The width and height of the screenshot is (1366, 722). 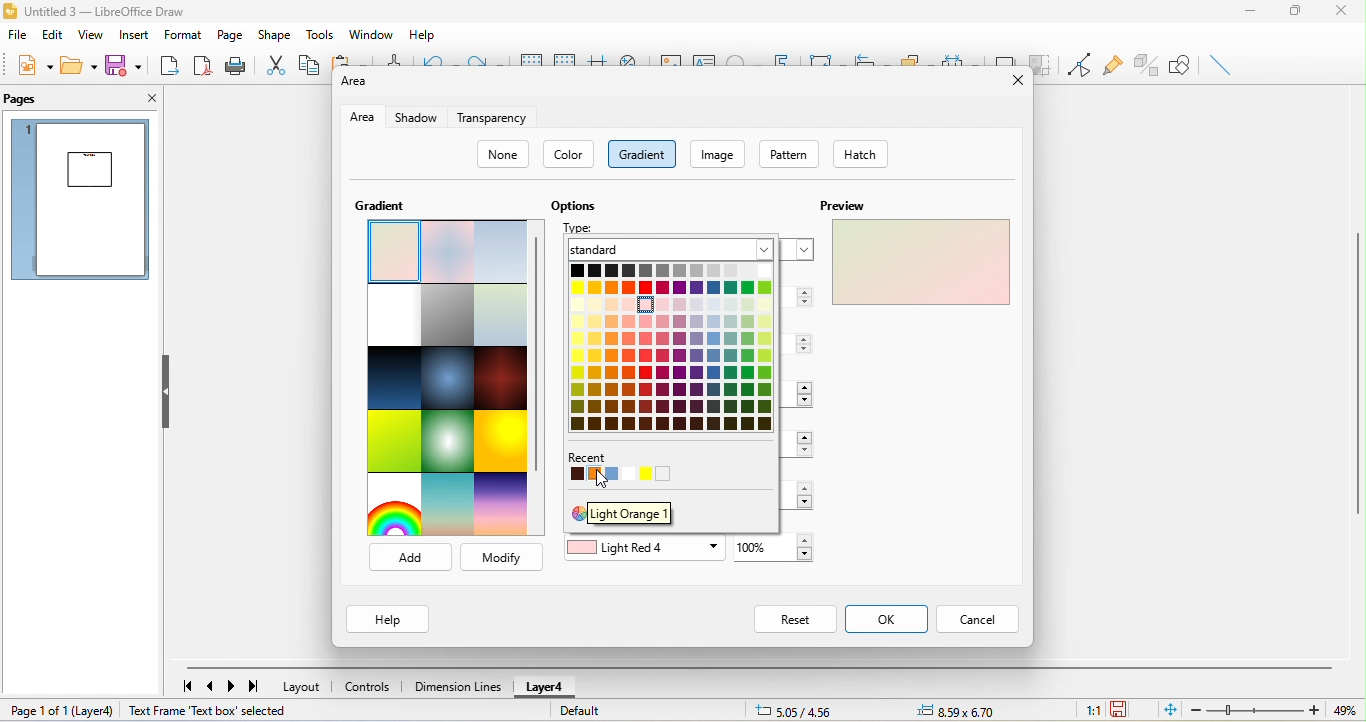 I want to click on edit, so click(x=53, y=35).